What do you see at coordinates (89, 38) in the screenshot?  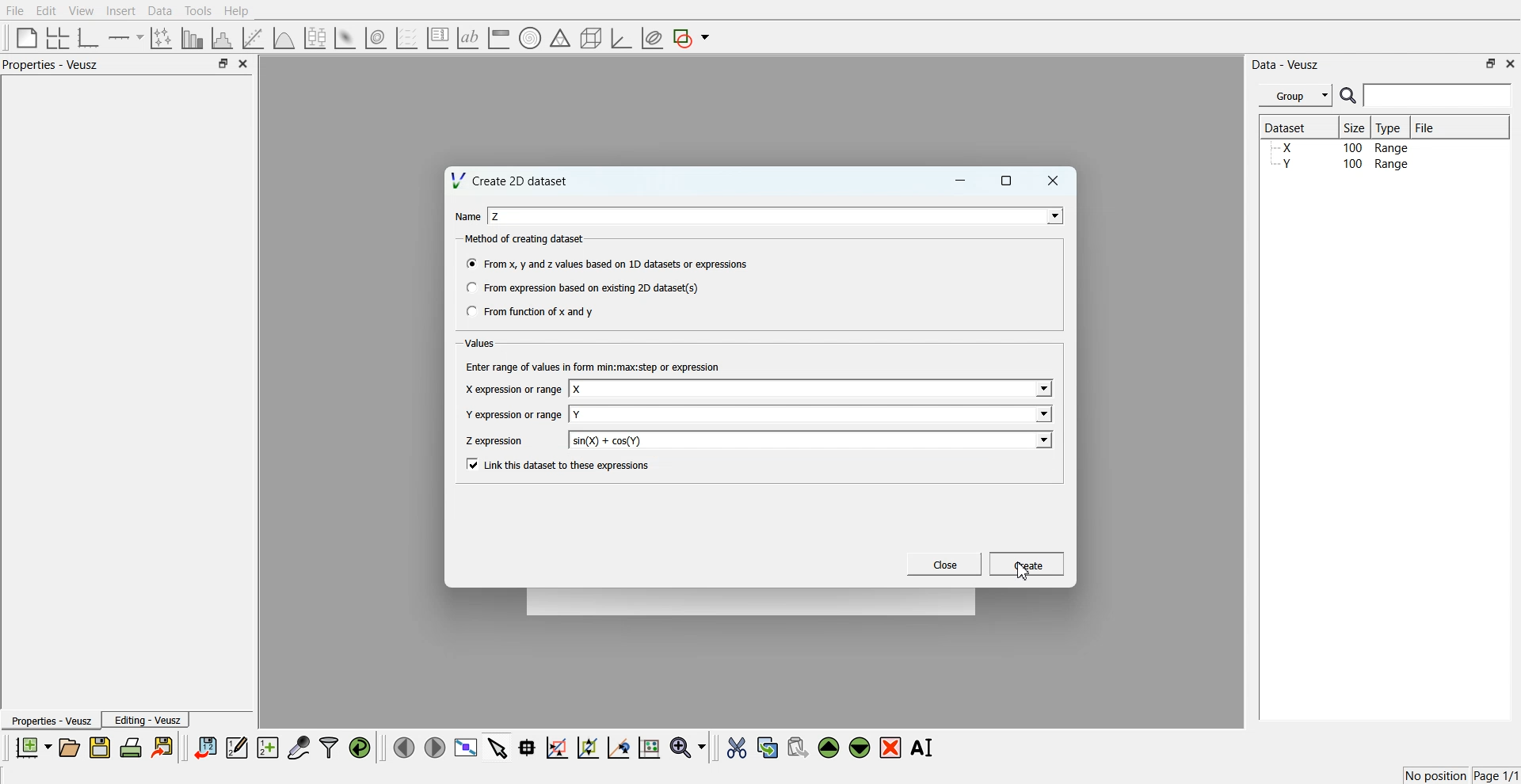 I see `Base Graph` at bounding box center [89, 38].